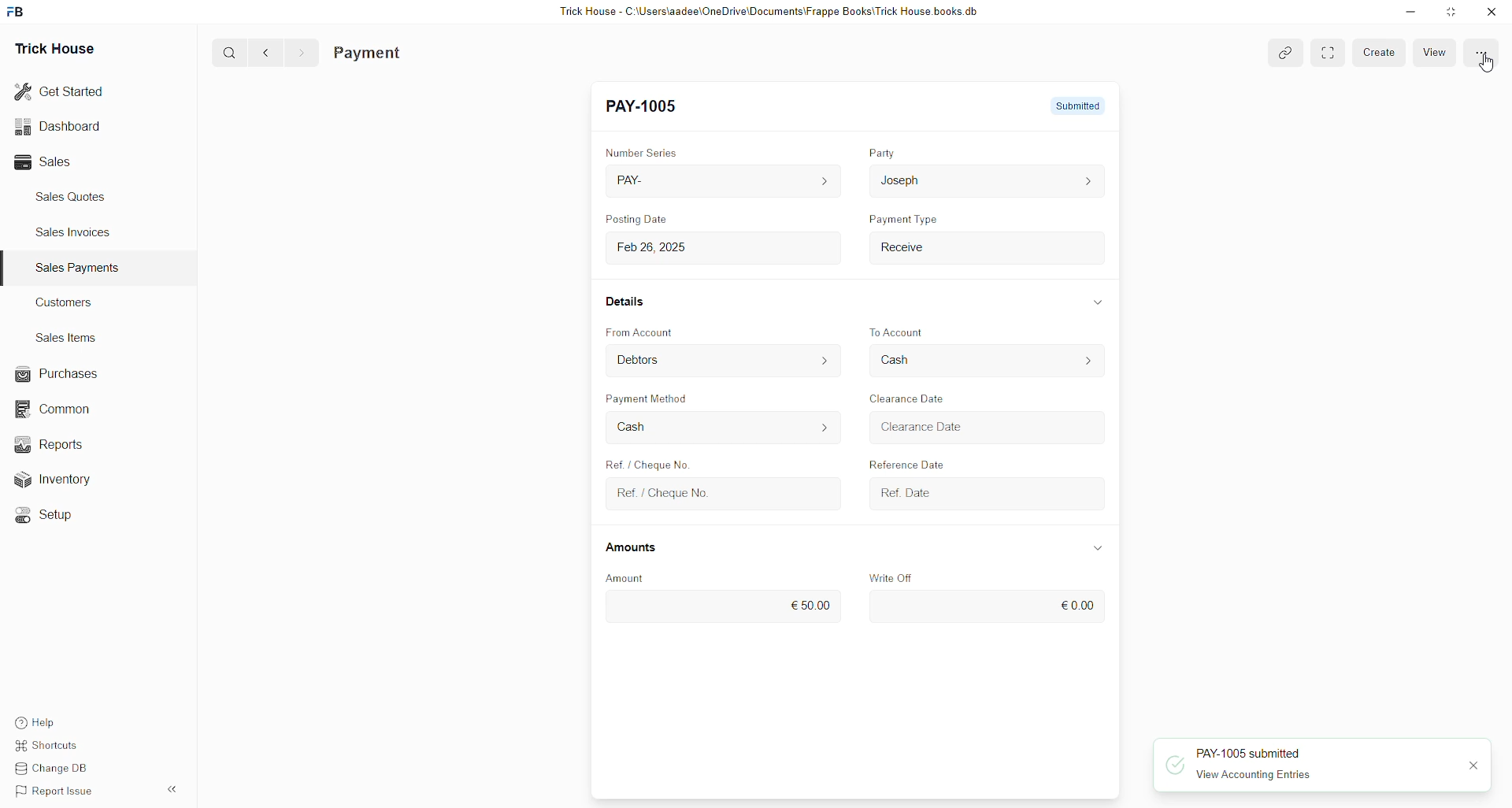 This screenshot has height=808, width=1512. I want to click on Toggle between form and full width, so click(1284, 53).